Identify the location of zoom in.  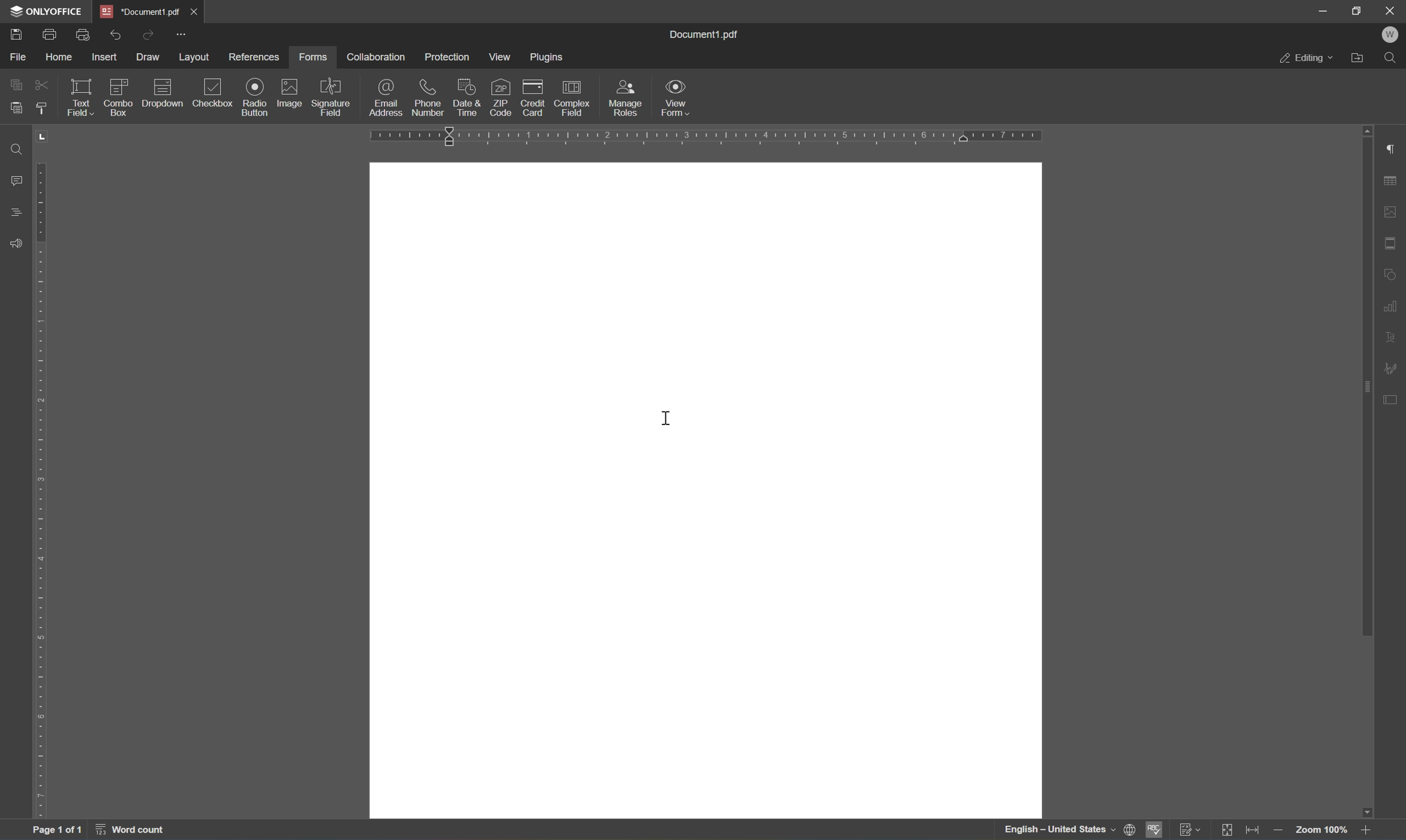
(1366, 831).